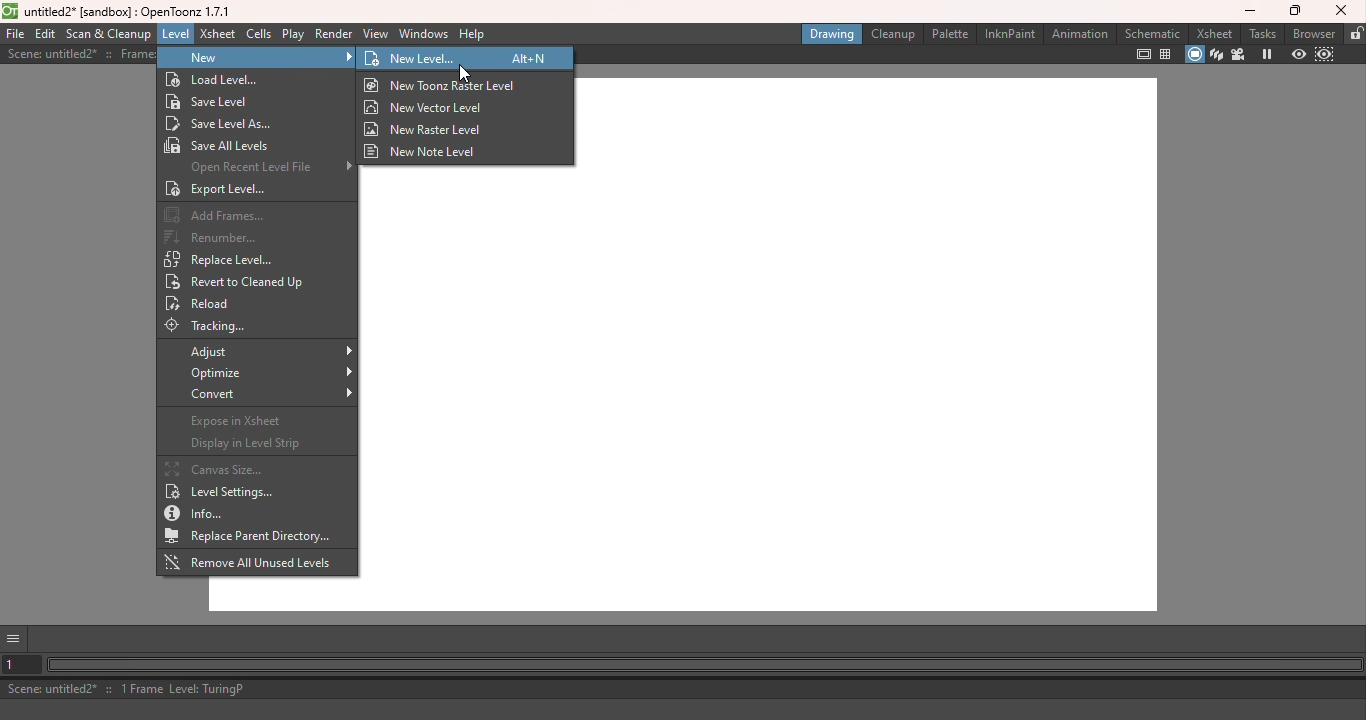 The width and height of the screenshot is (1366, 720). Describe the element at coordinates (217, 237) in the screenshot. I see `Renumber` at that location.